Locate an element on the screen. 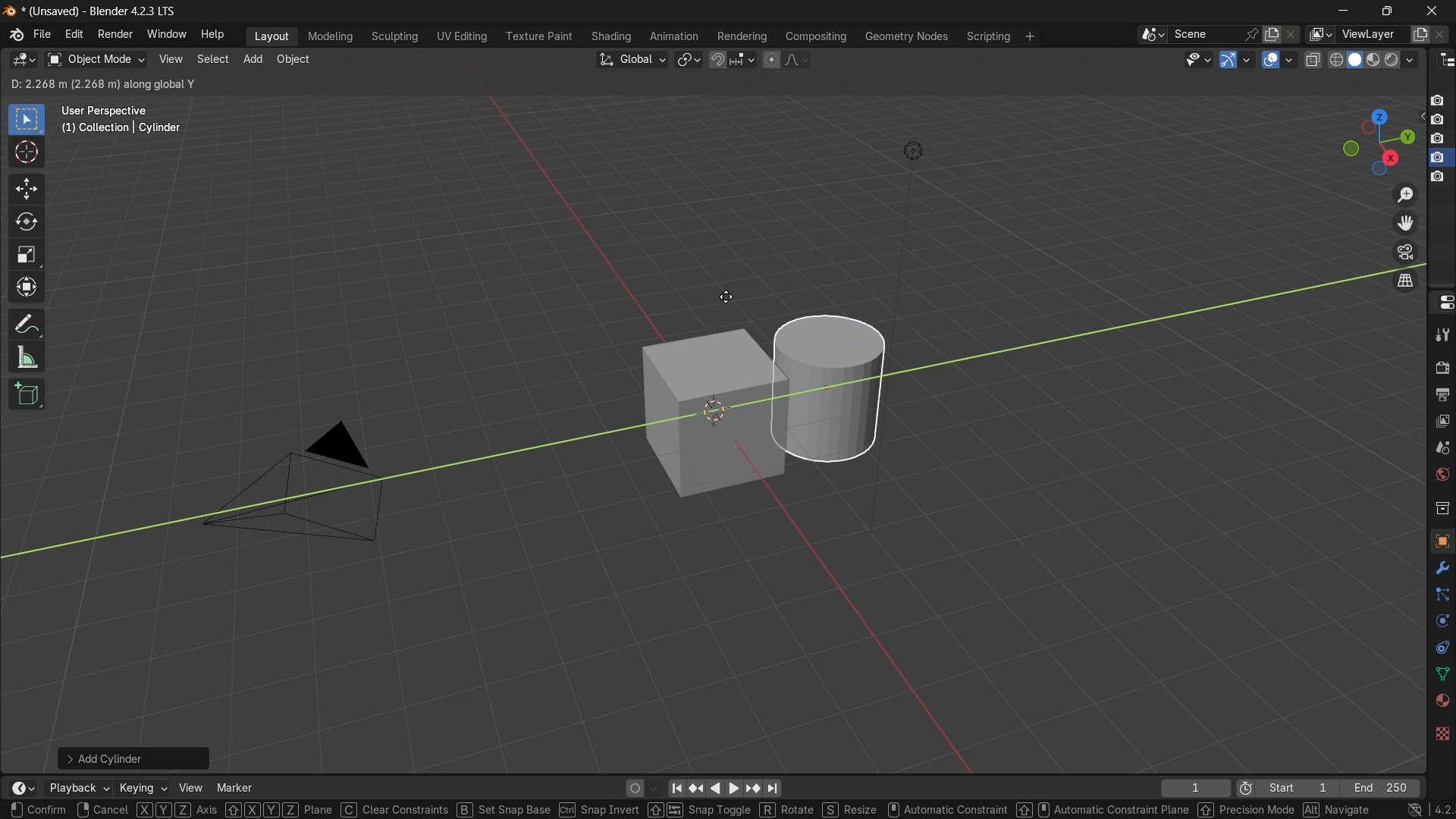 The height and width of the screenshot is (819, 1456). marker is located at coordinates (236, 787).